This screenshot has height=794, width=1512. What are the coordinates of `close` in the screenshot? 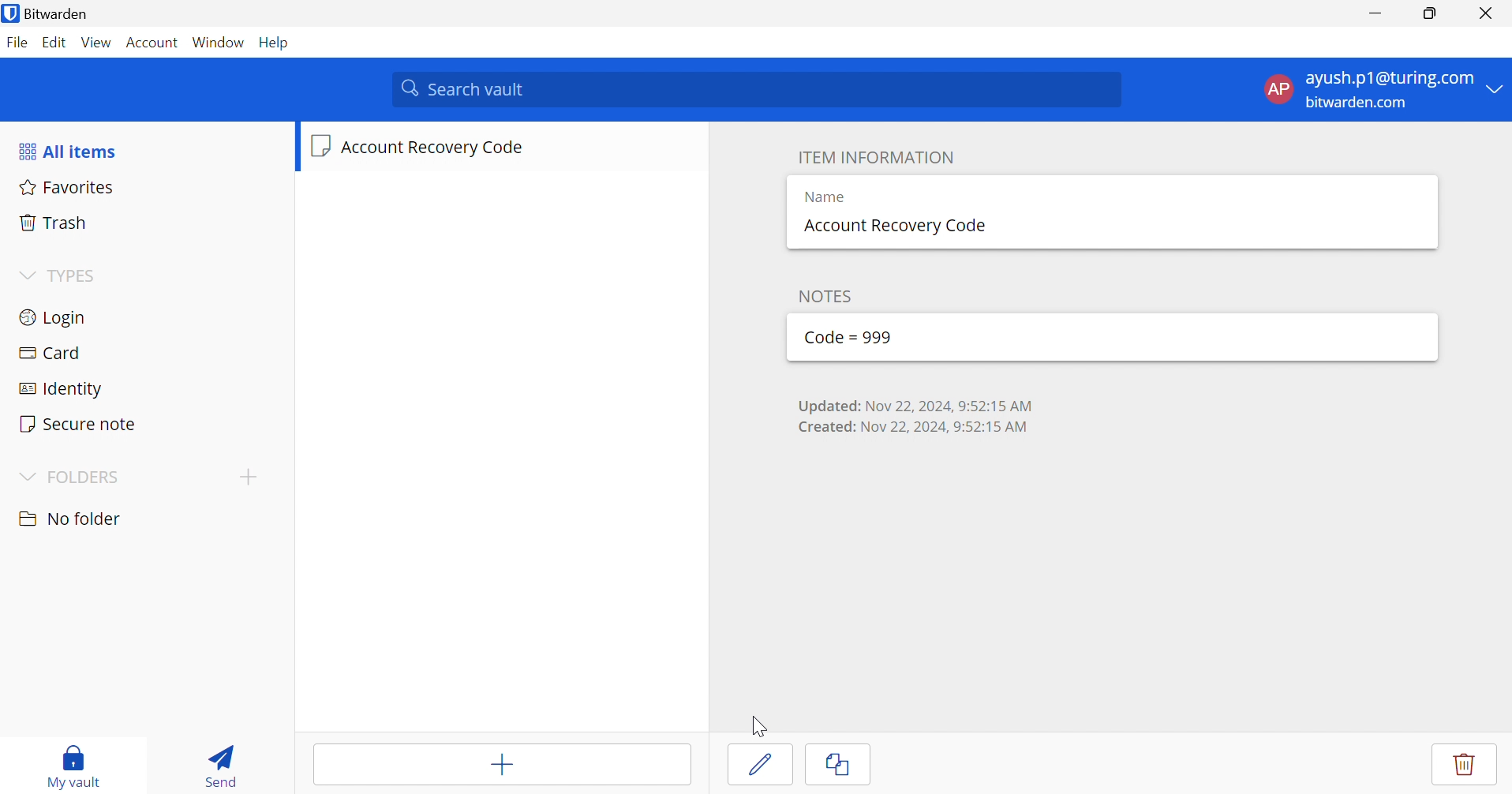 It's located at (1485, 17).